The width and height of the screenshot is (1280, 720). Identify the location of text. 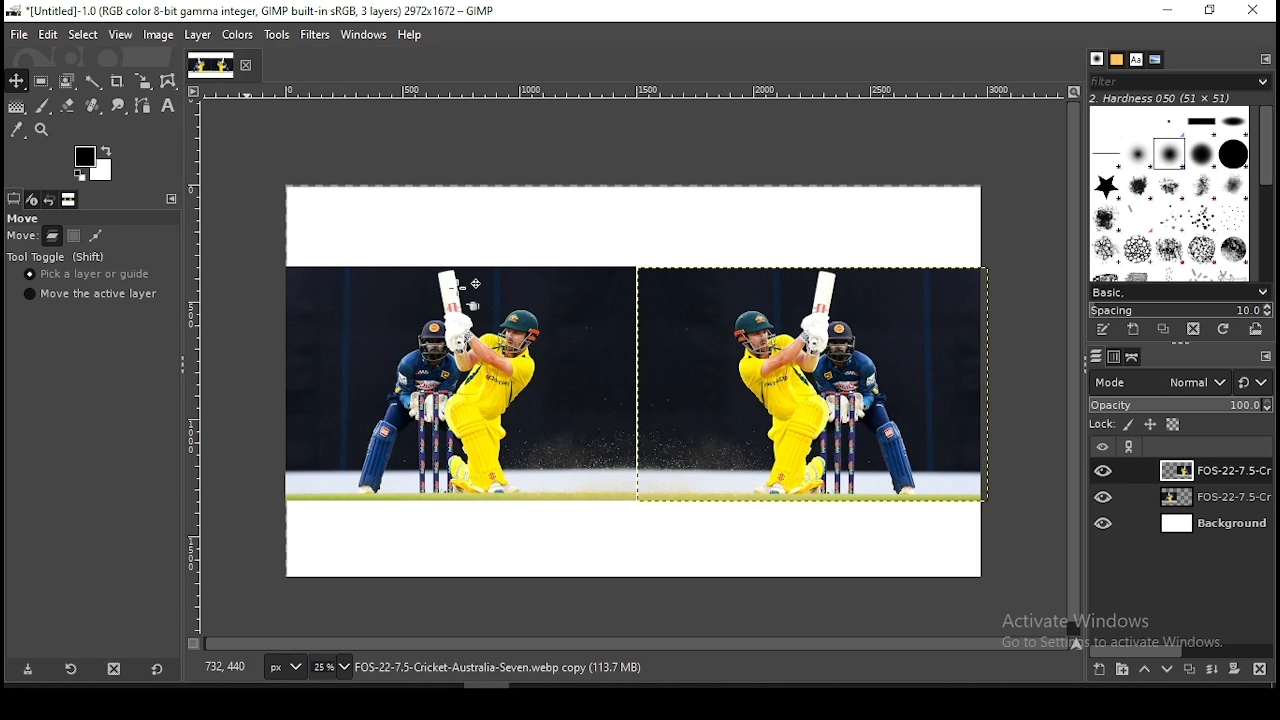
(498, 668).